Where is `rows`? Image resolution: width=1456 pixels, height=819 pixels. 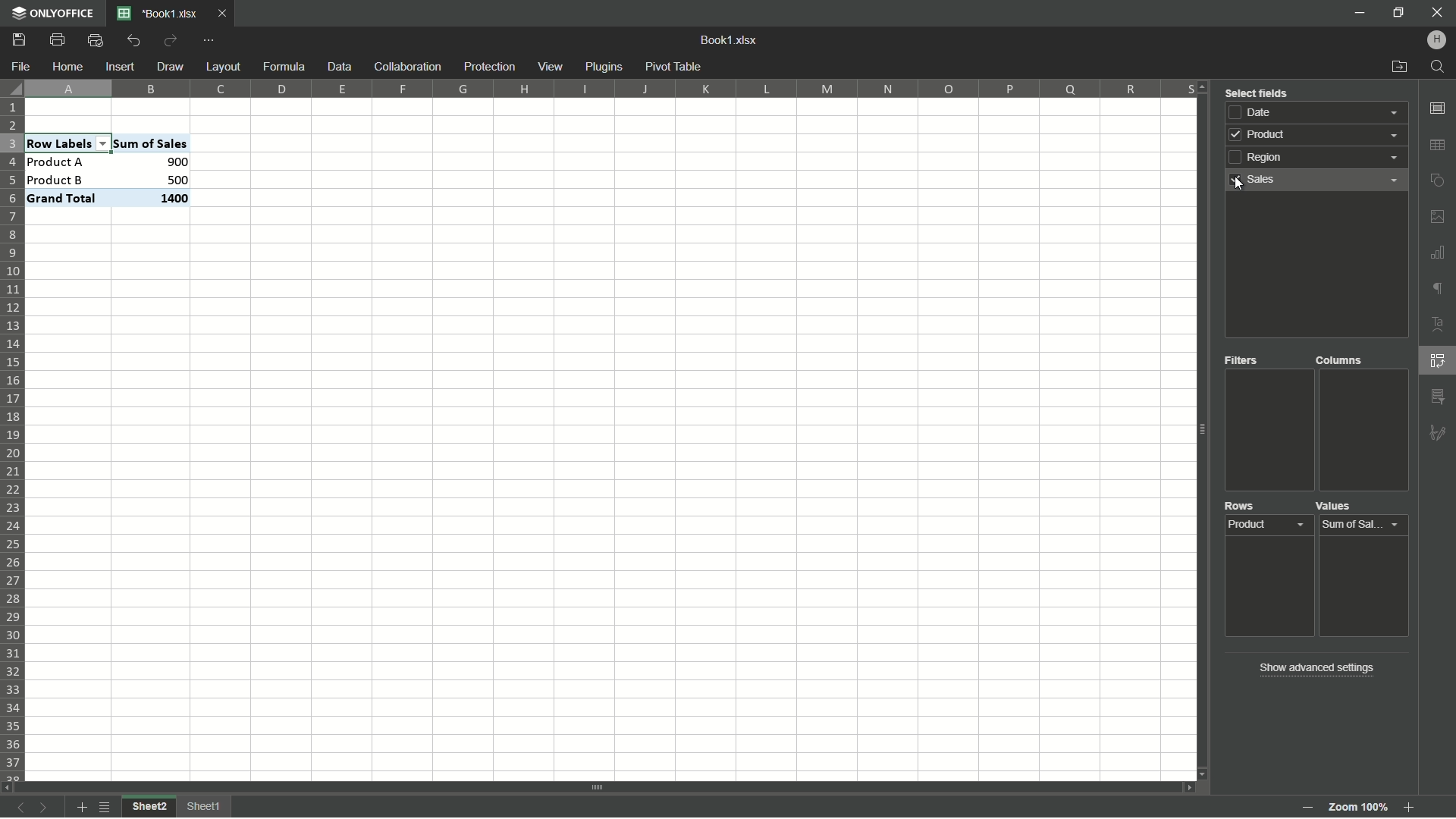
rows is located at coordinates (1241, 508).